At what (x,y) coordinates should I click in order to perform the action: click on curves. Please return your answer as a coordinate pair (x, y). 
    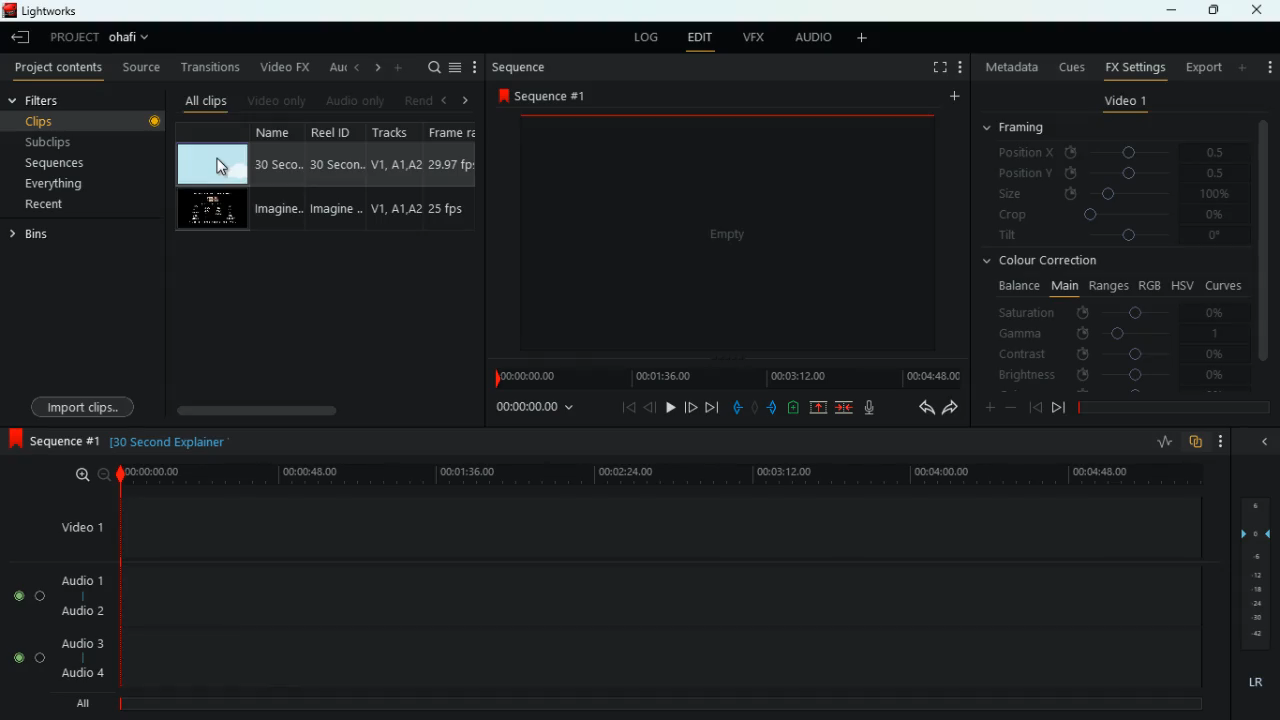
    Looking at the image, I should click on (1224, 287).